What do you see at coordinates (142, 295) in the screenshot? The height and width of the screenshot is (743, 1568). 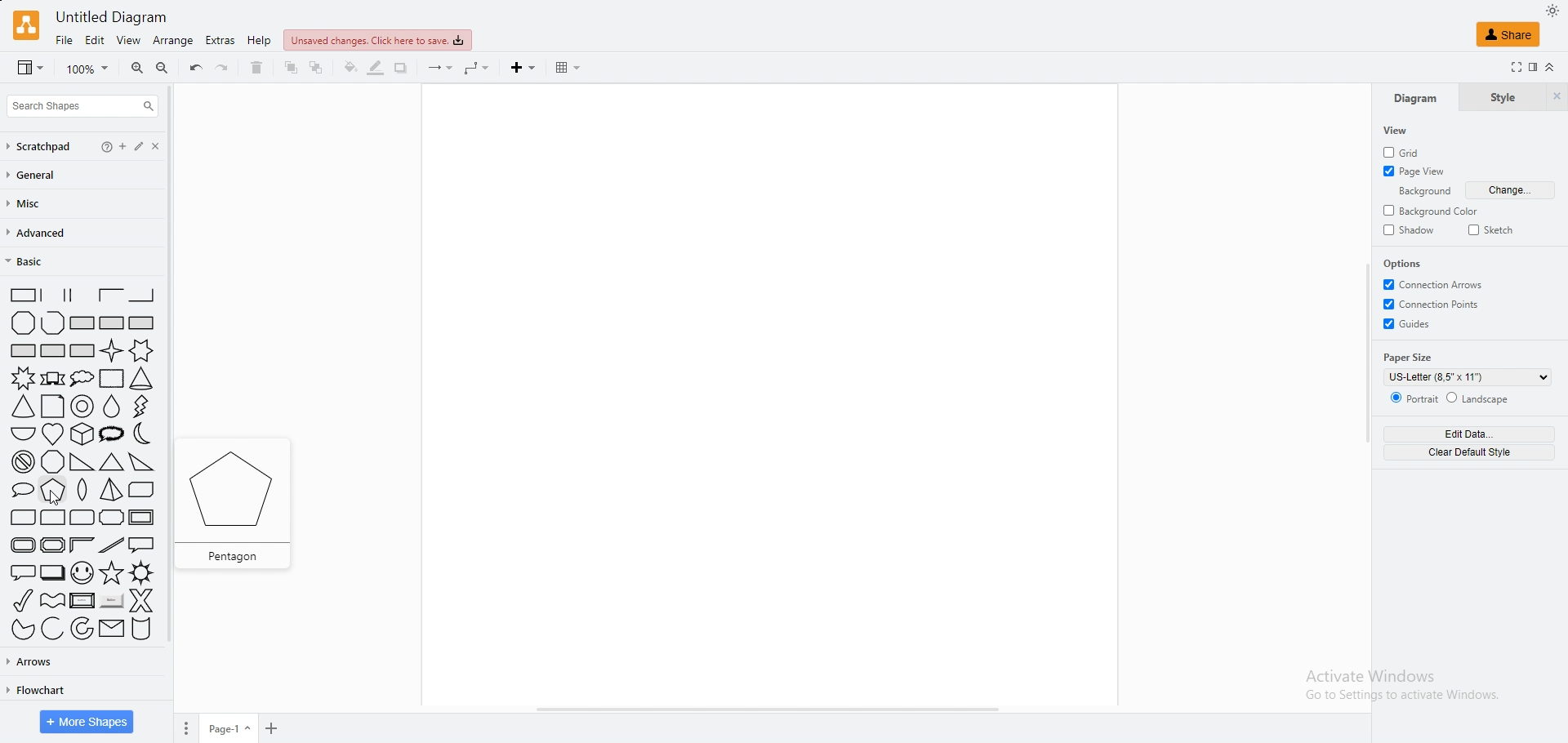 I see `partial rectangle` at bounding box center [142, 295].